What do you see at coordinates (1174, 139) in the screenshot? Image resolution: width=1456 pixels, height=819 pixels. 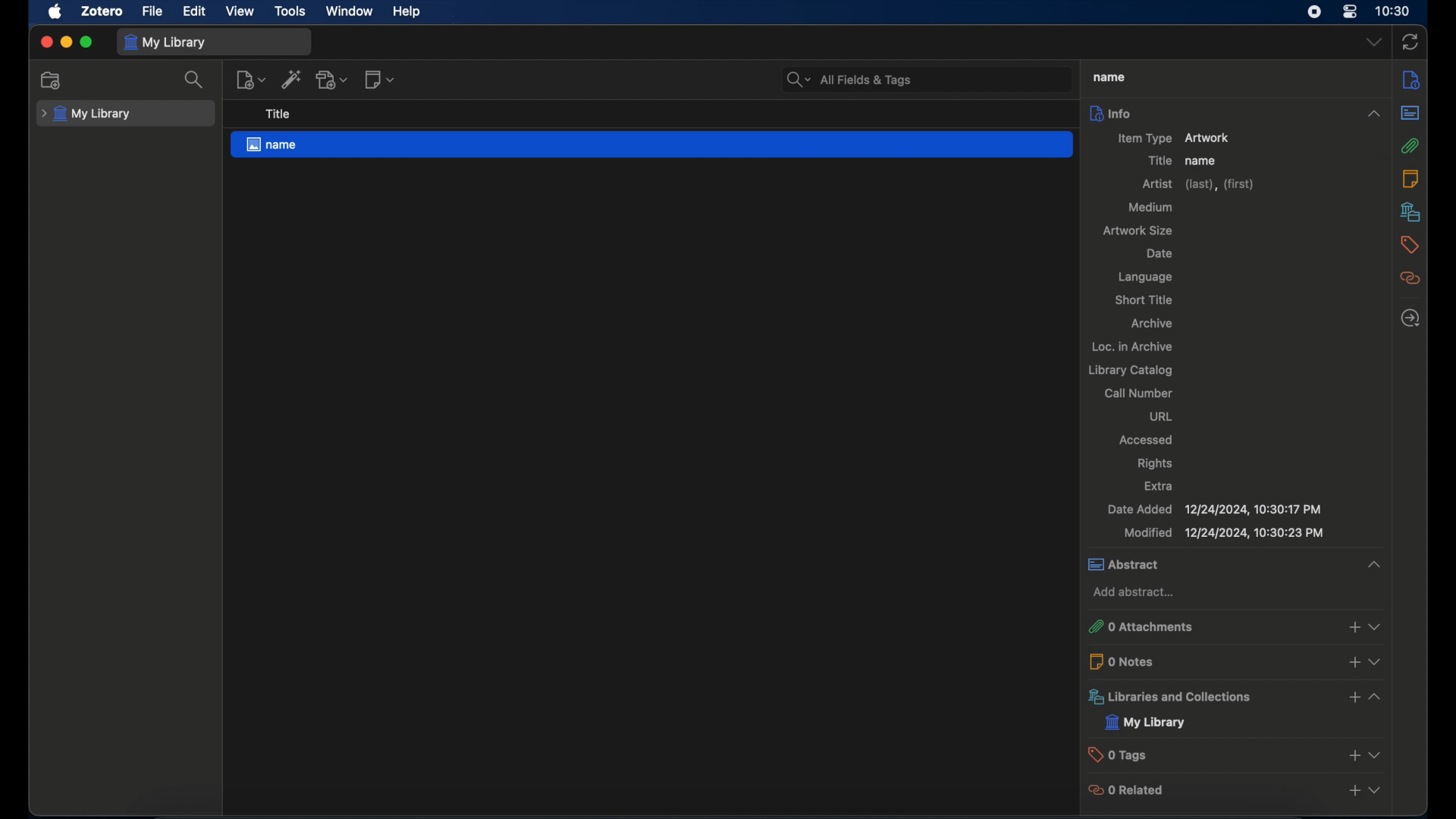 I see `new item artwork` at bounding box center [1174, 139].